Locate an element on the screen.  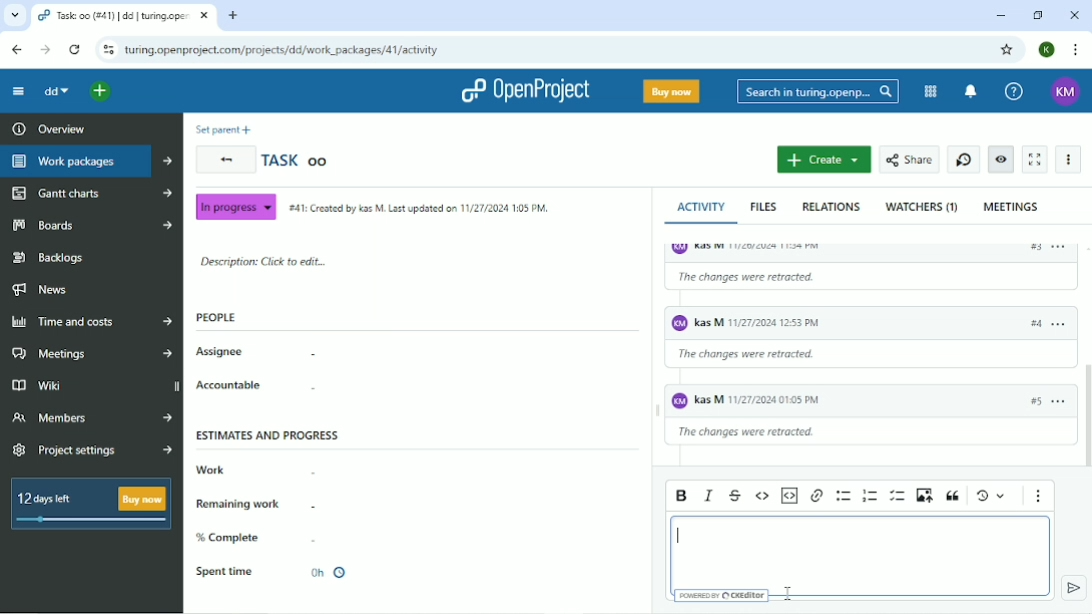
Numbered list is located at coordinates (868, 496).